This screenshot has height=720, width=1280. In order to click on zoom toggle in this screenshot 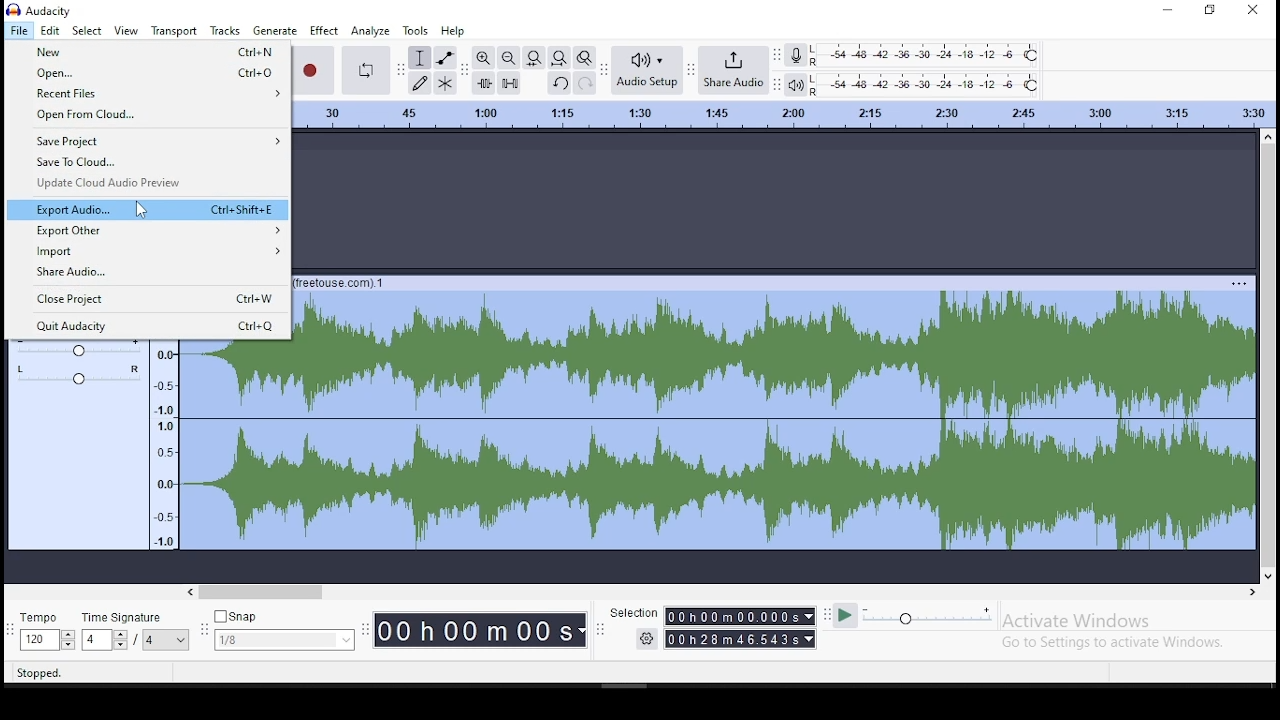, I will do `click(584, 58)`.